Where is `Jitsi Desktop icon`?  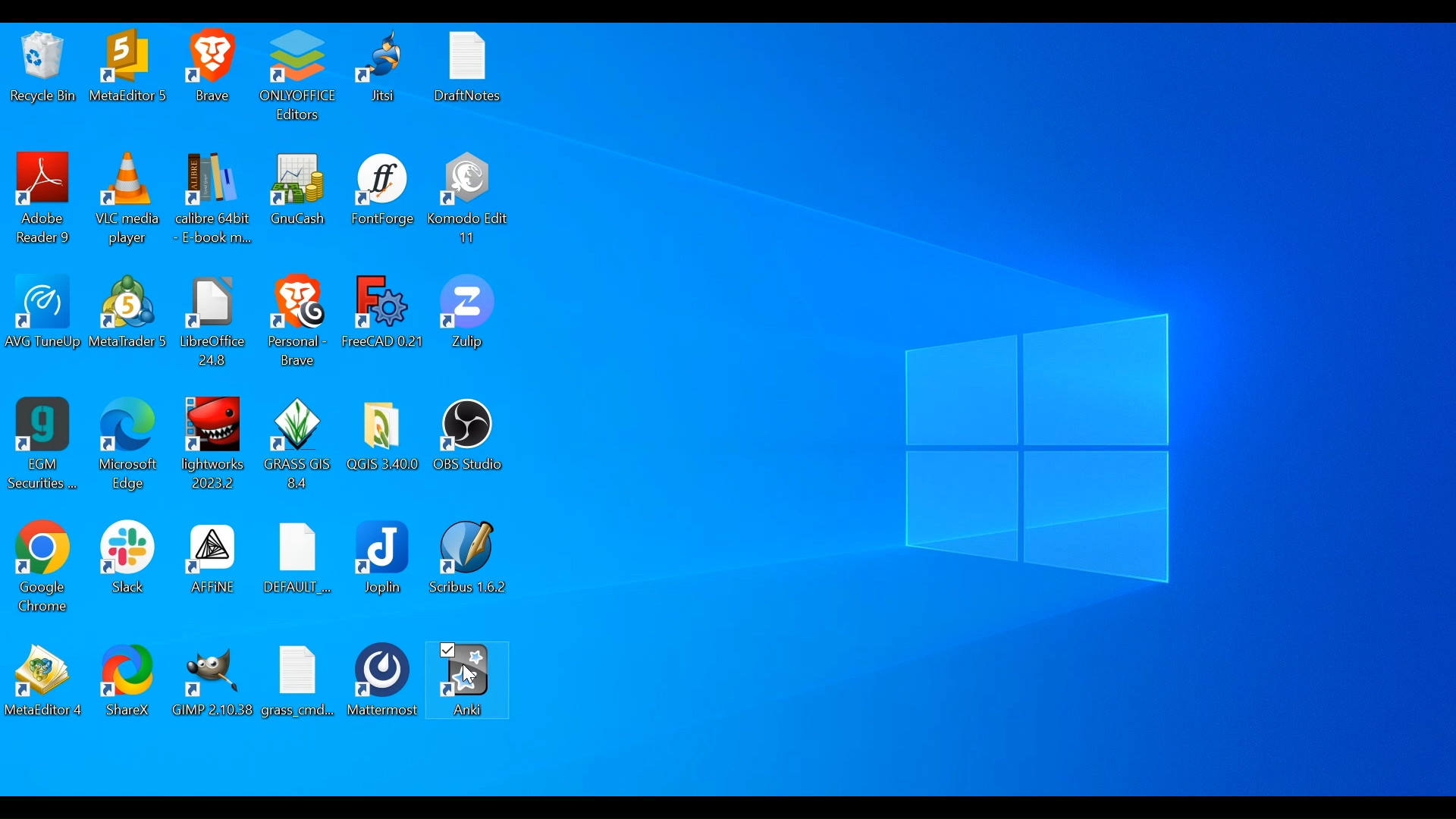 Jitsi Desktop icon is located at coordinates (380, 67).